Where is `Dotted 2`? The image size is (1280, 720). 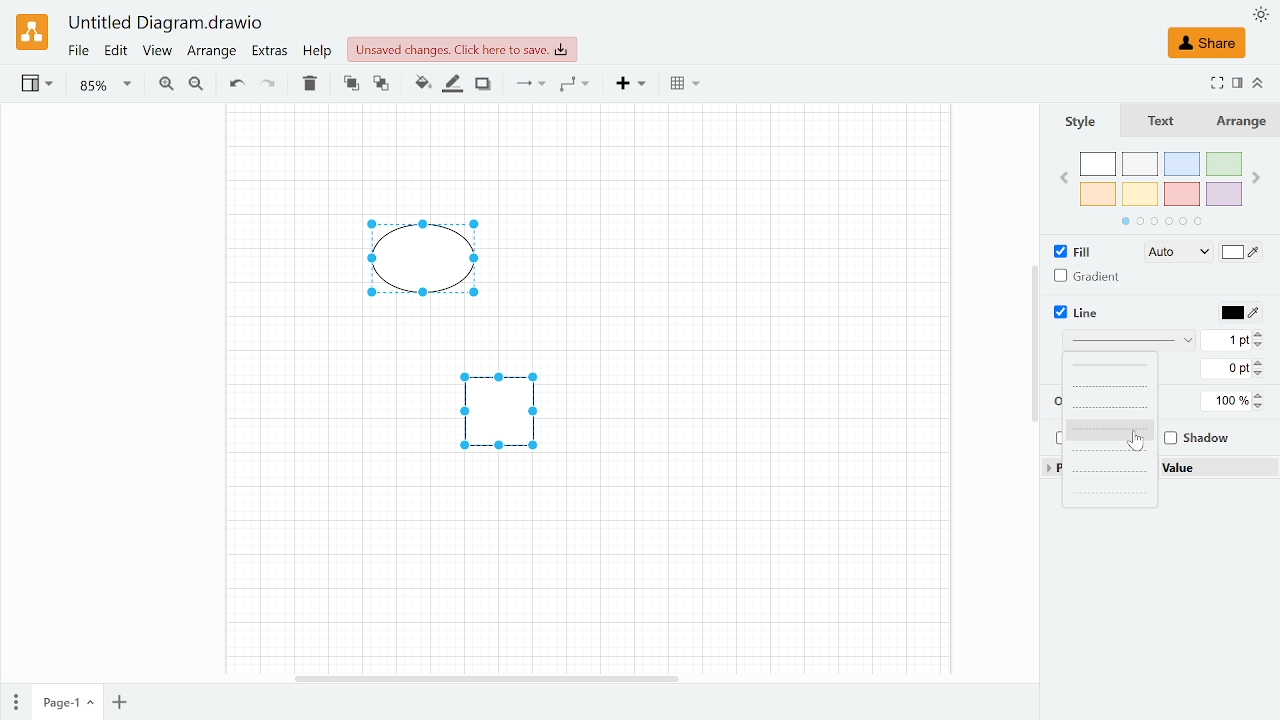 Dotted 2 is located at coordinates (1108, 472).